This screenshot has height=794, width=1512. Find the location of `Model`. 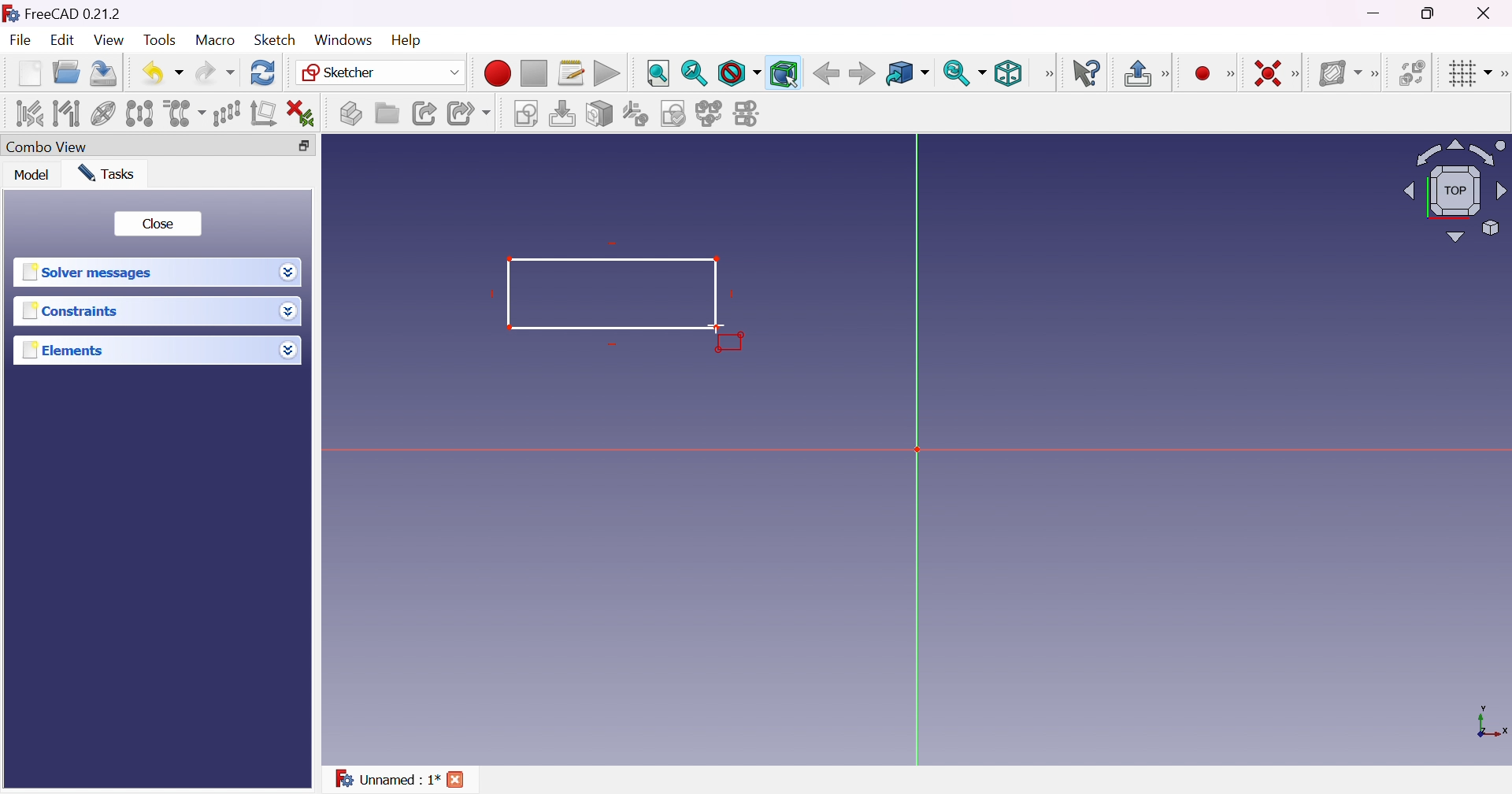

Model is located at coordinates (31, 174).